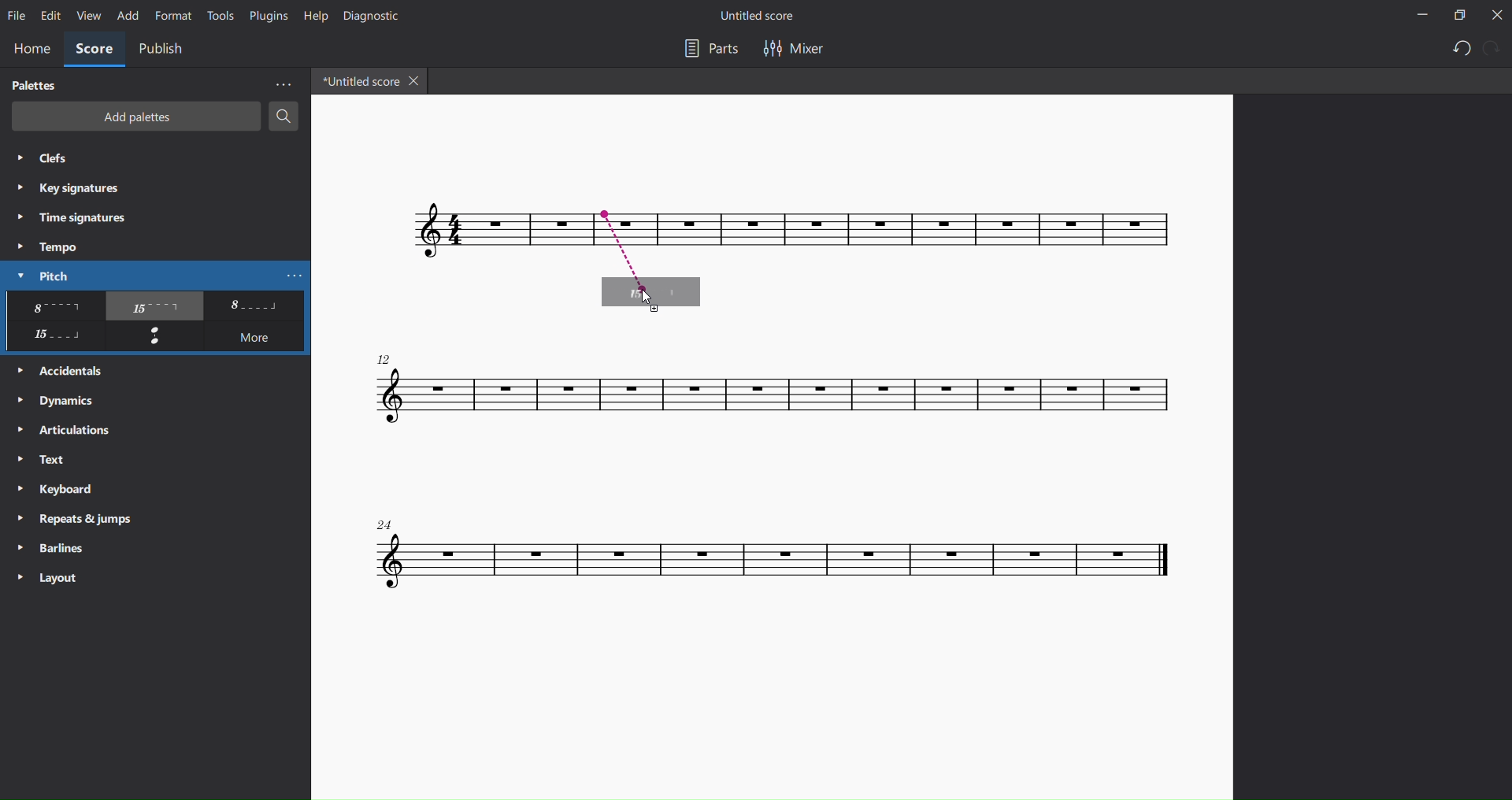  Describe the element at coordinates (60, 398) in the screenshot. I see `dynamics` at that location.